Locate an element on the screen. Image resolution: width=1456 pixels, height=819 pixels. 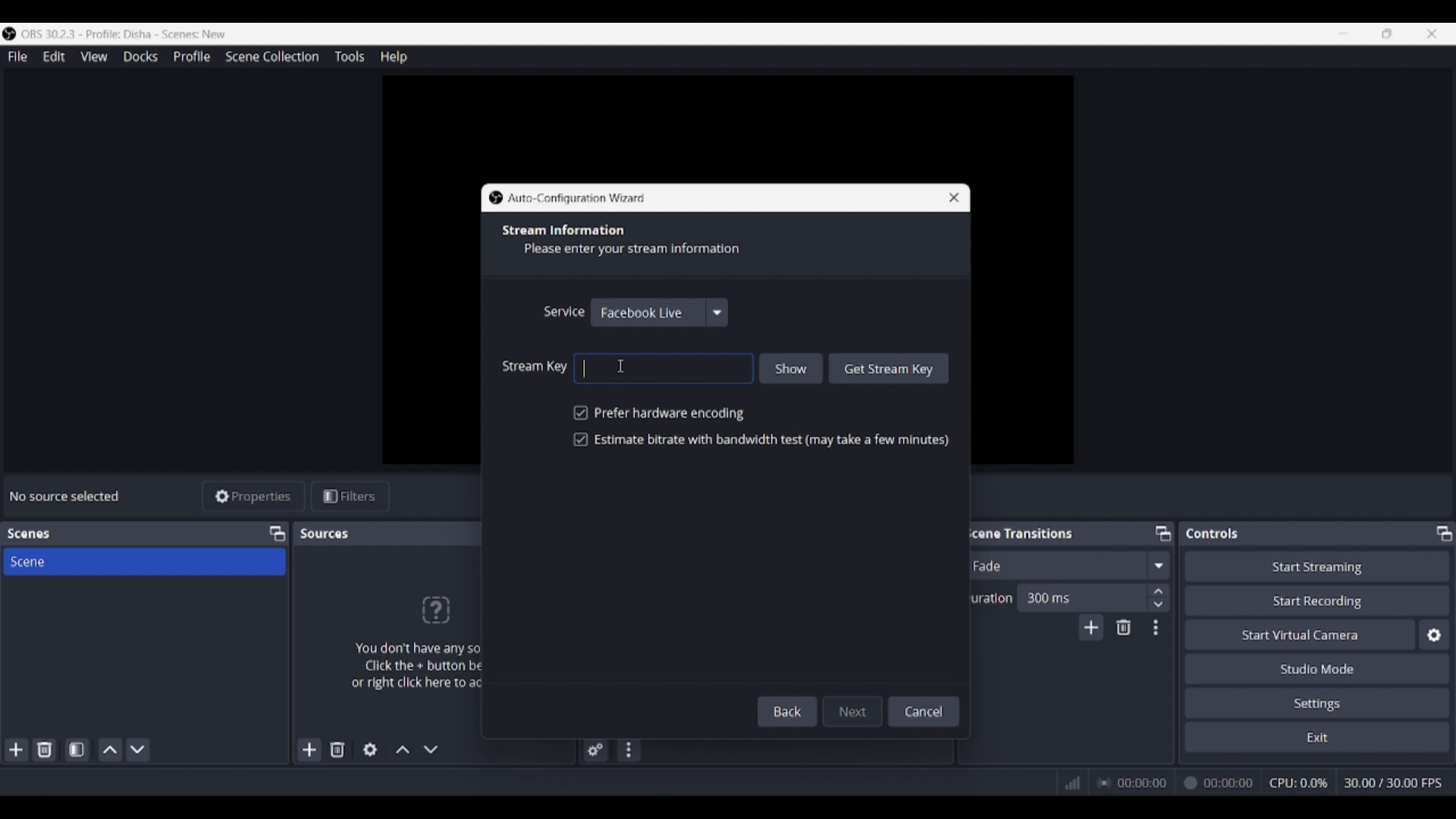
Panel title is located at coordinates (1213, 533).